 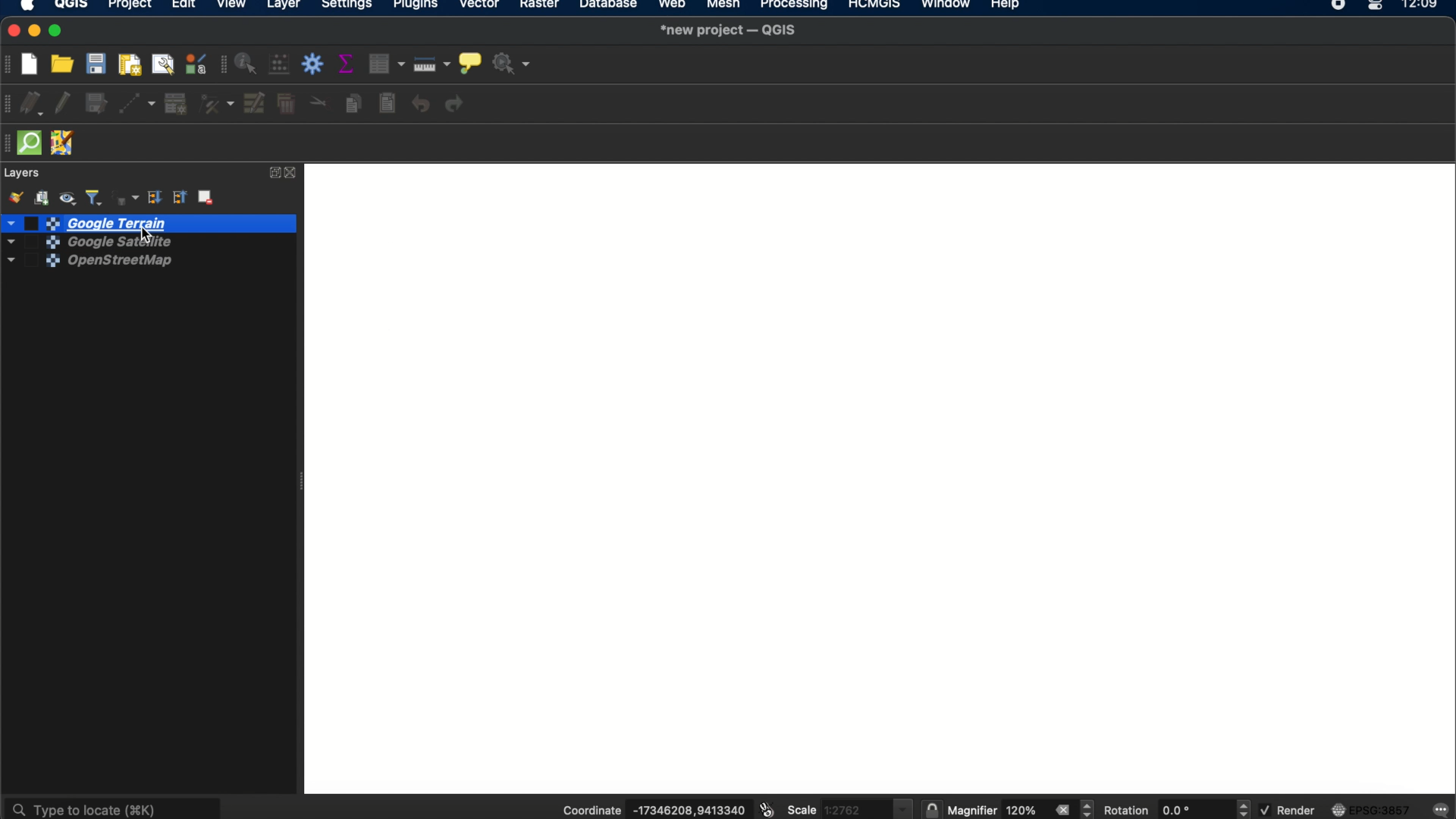 I want to click on show layout manager, so click(x=165, y=64).